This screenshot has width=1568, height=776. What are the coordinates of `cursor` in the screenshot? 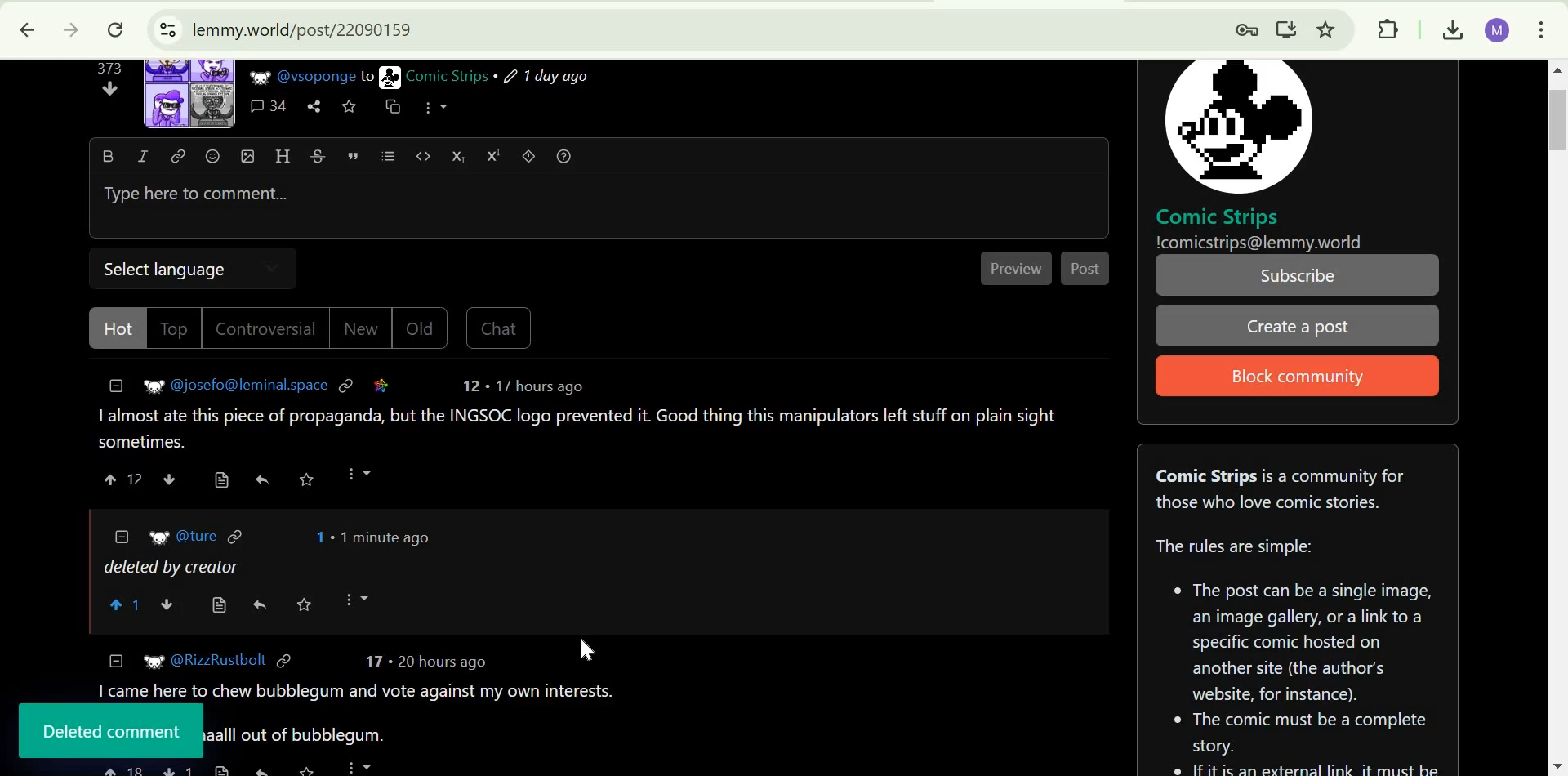 It's located at (589, 650).